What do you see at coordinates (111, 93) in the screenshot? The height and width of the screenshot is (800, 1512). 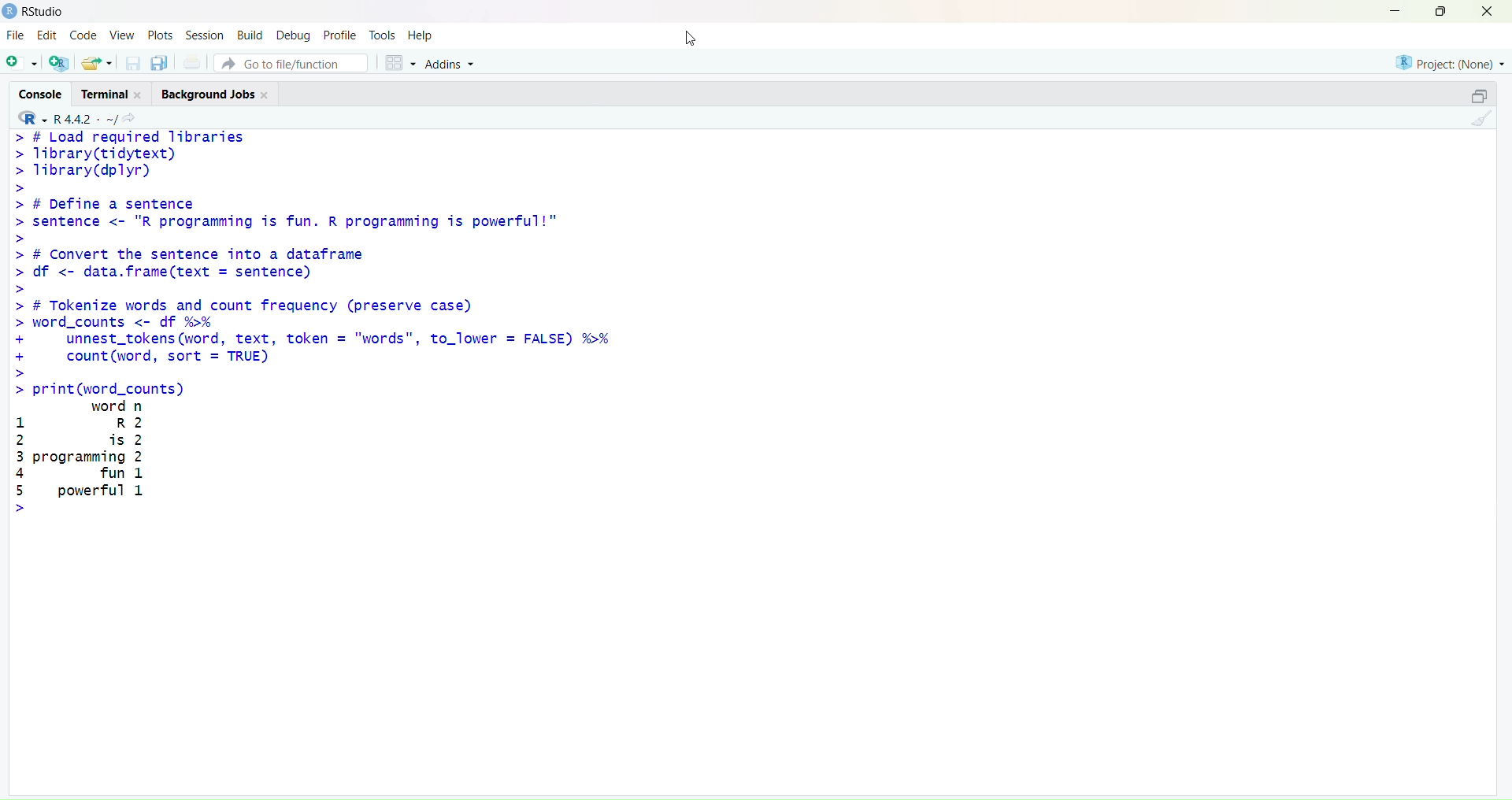 I see `terminal` at bounding box center [111, 93].